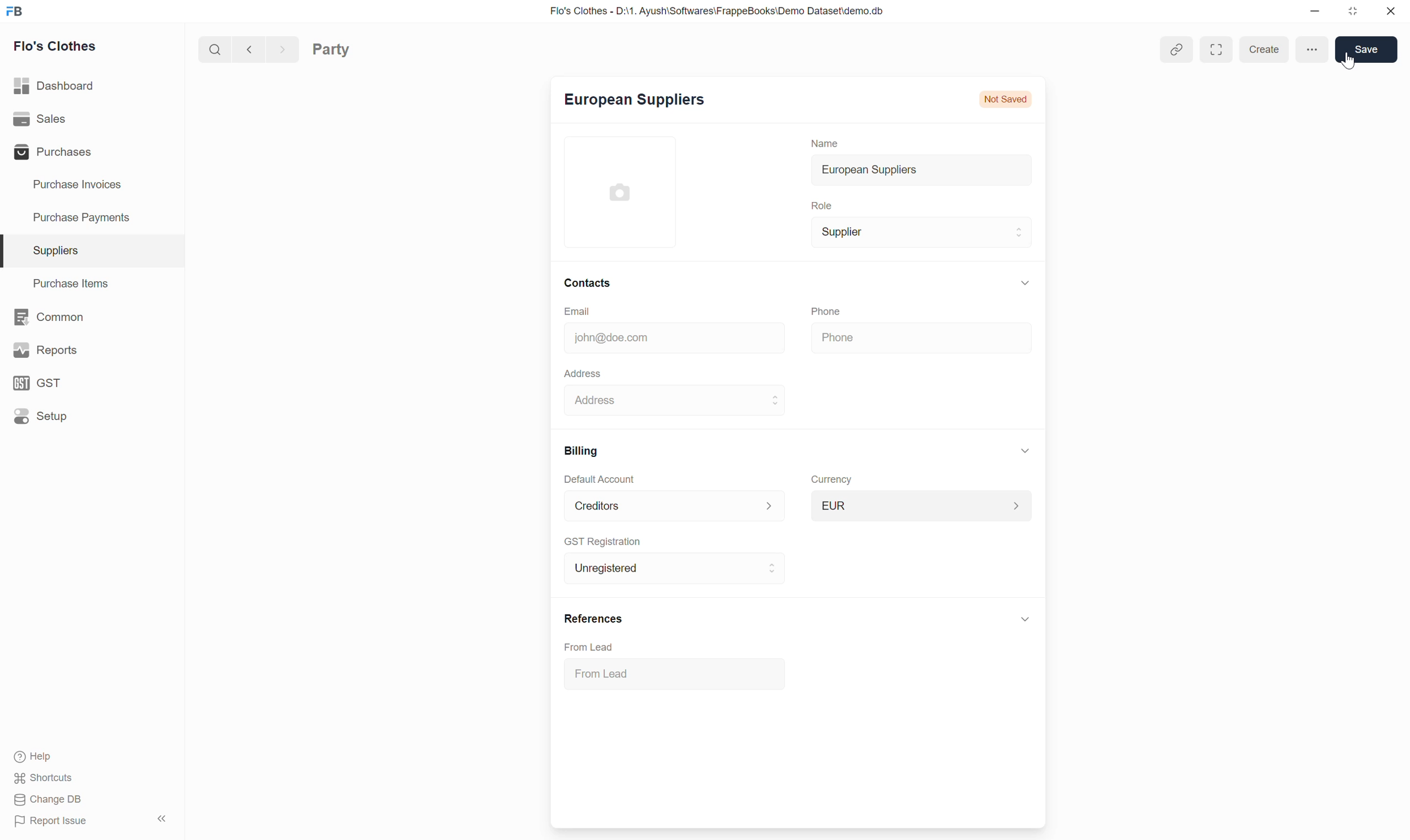  What do you see at coordinates (55, 251) in the screenshot?
I see `suppliers` at bounding box center [55, 251].